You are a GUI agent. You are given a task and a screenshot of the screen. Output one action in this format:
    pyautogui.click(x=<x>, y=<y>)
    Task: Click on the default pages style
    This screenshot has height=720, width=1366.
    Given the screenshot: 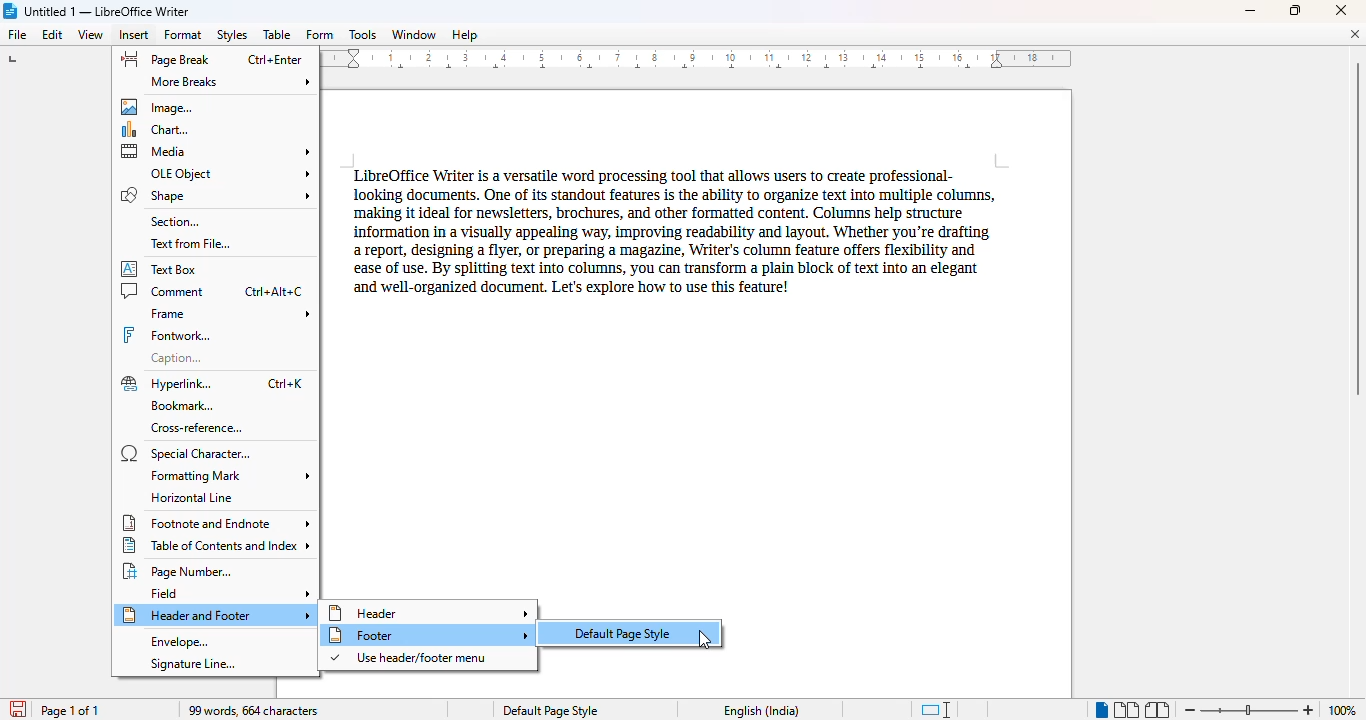 What is the action you would take?
    pyautogui.click(x=628, y=632)
    